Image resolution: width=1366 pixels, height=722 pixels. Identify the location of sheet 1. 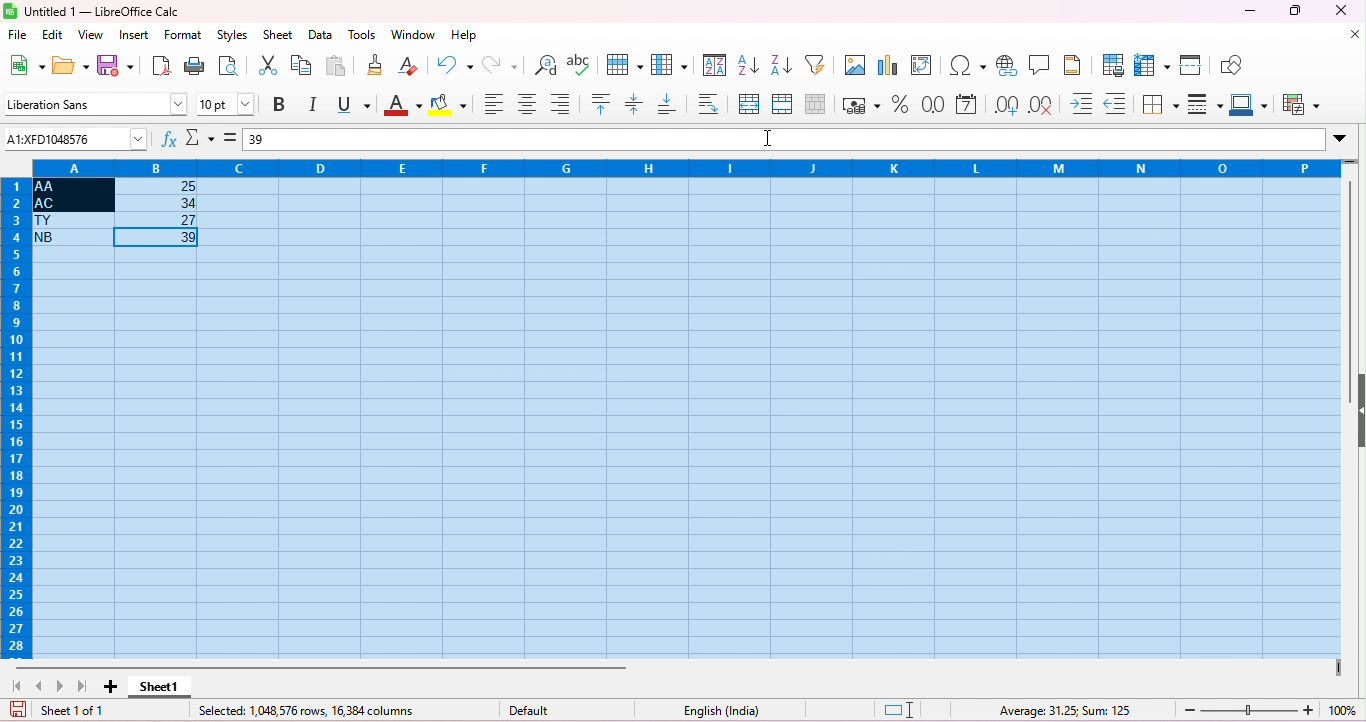
(163, 688).